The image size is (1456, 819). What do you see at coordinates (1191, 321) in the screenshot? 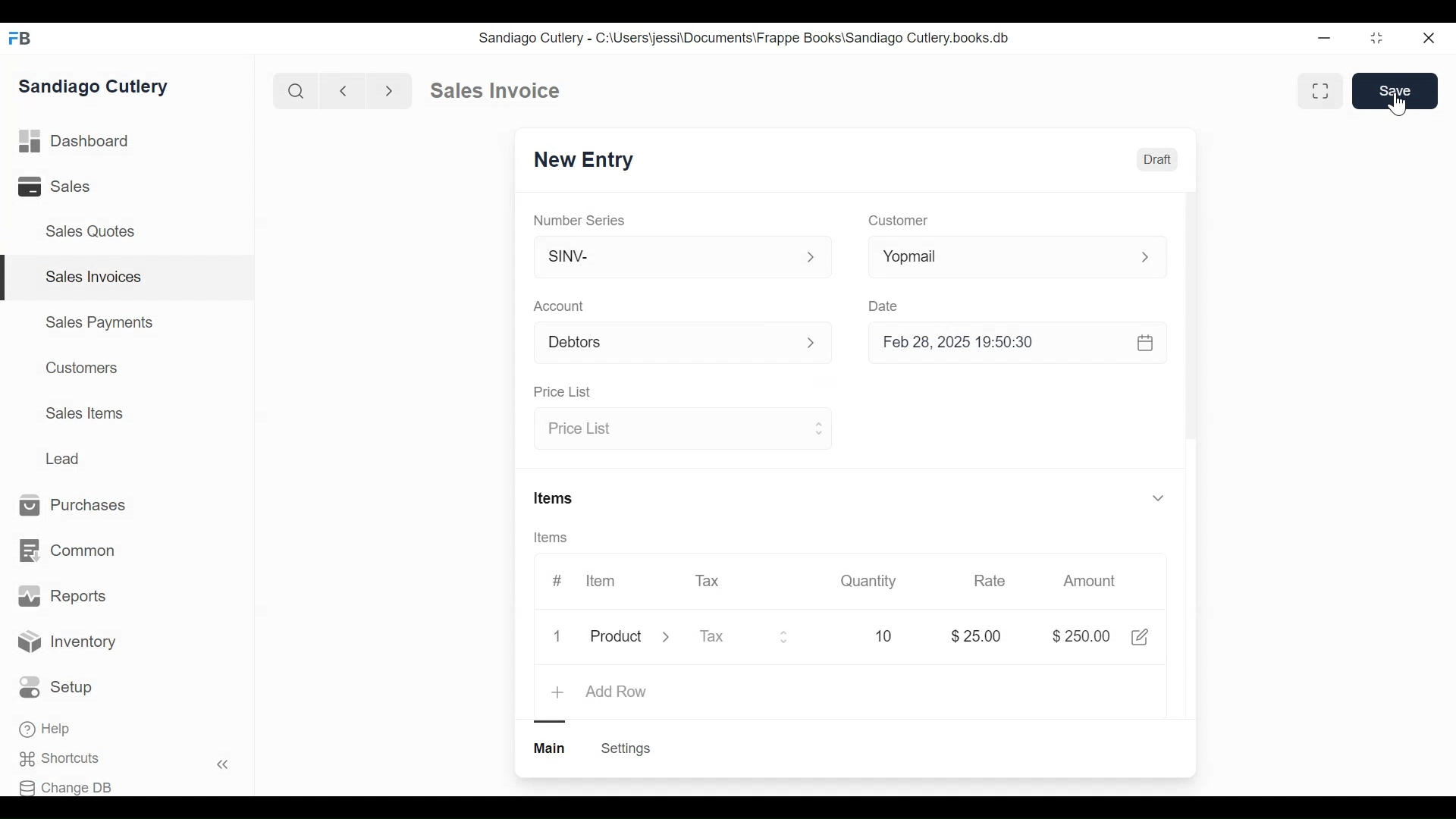
I see `scrollbar` at bounding box center [1191, 321].